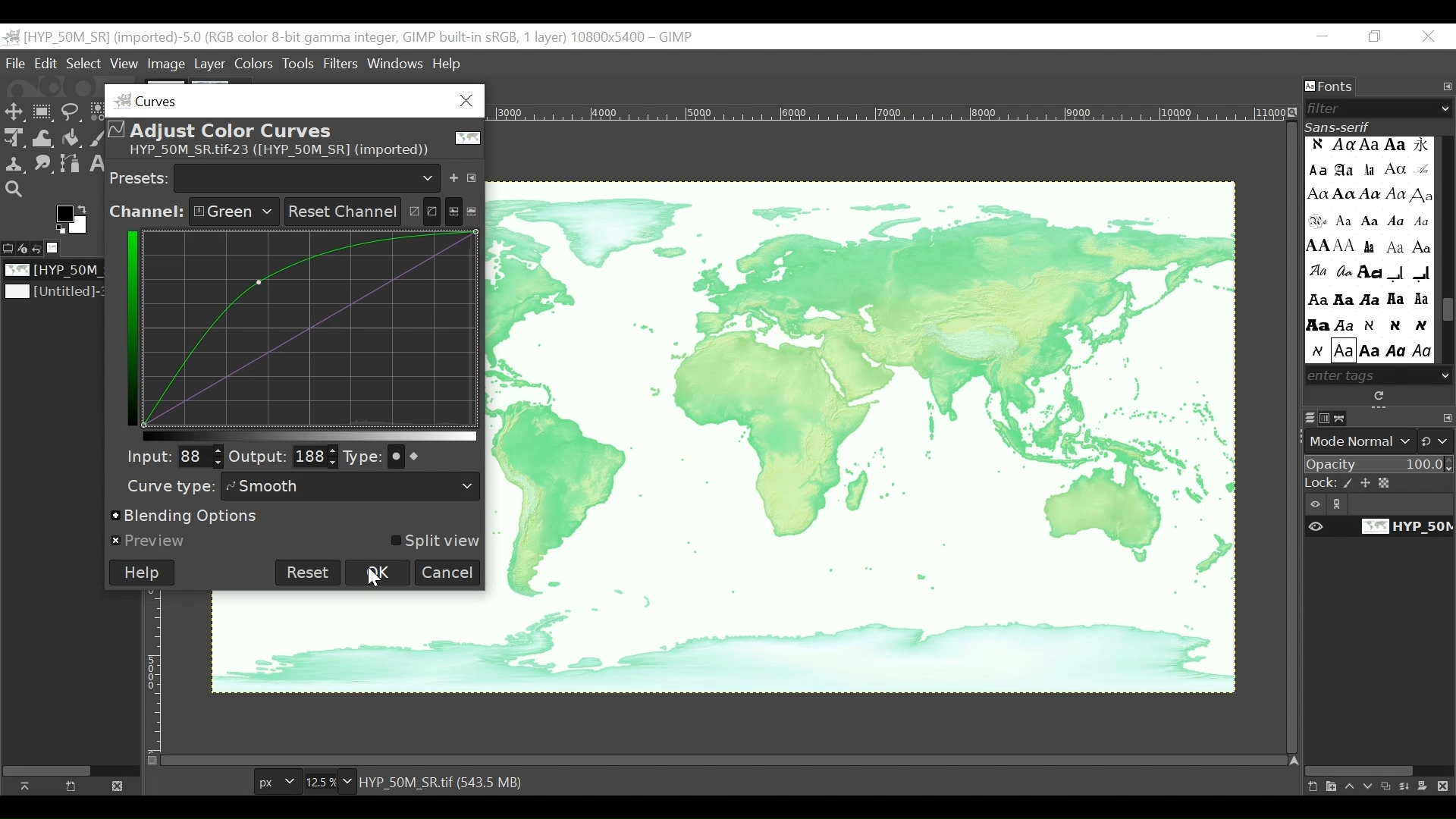  What do you see at coordinates (29, 786) in the screenshot?
I see `Raise this image display` at bounding box center [29, 786].